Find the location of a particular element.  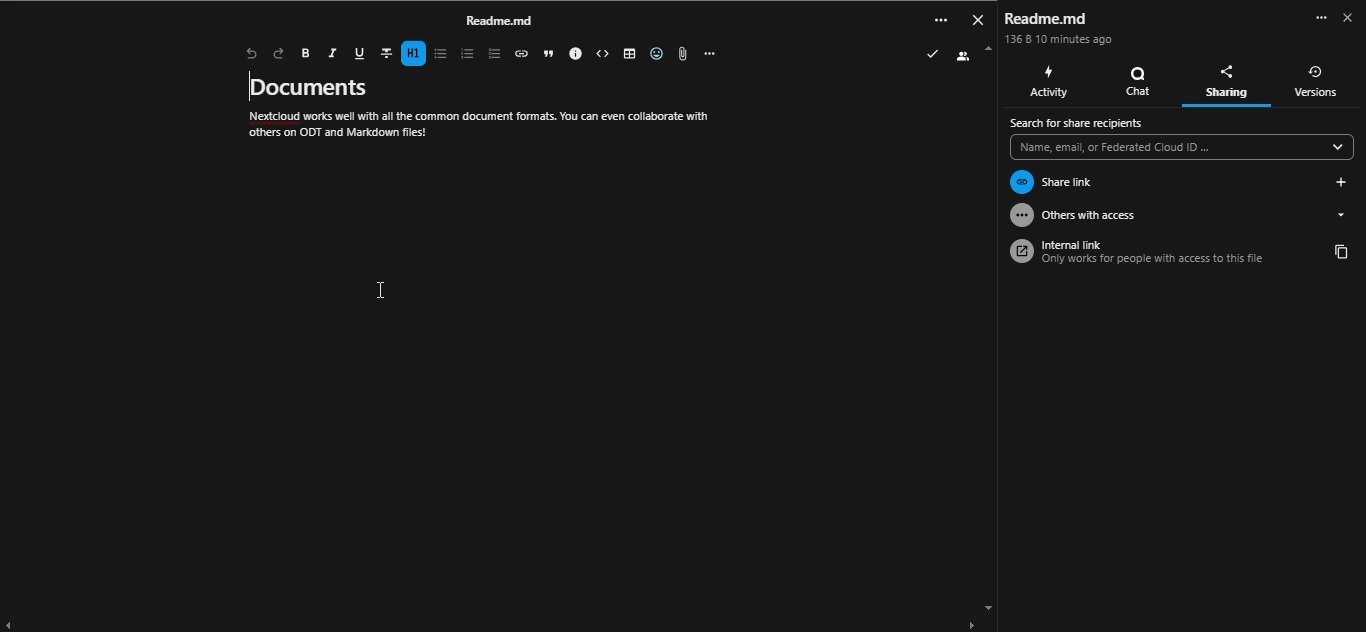

copy is located at coordinates (1341, 251).